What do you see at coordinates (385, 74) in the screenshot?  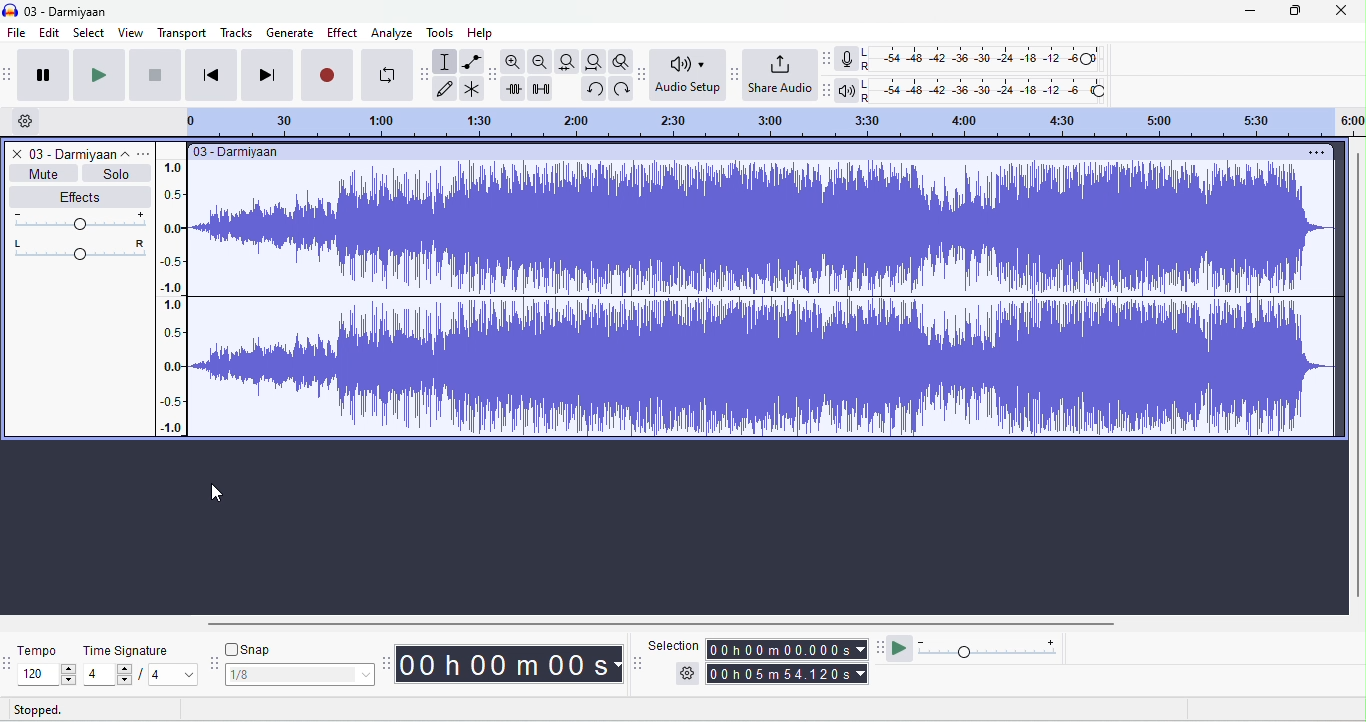 I see `loop` at bounding box center [385, 74].